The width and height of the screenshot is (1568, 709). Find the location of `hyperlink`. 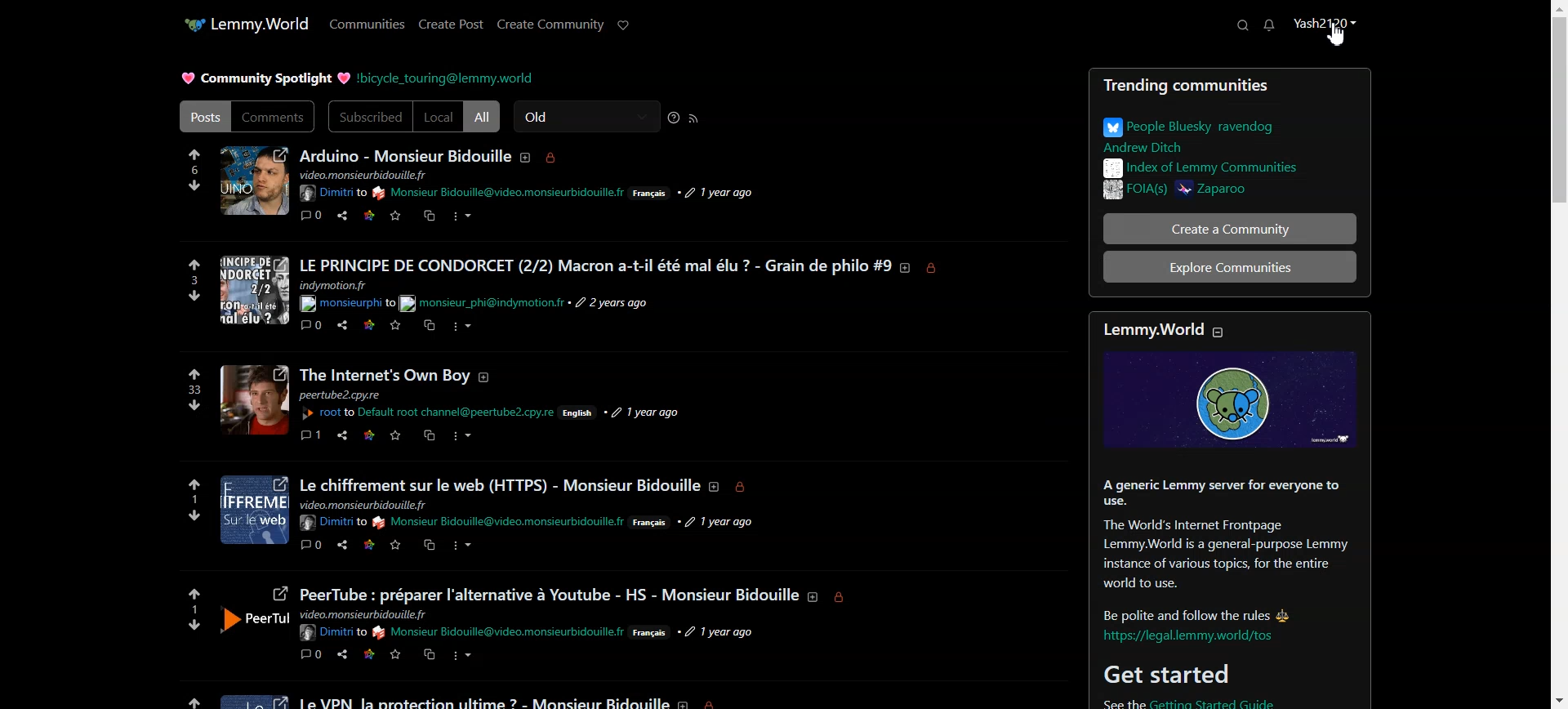

hyperlink is located at coordinates (332, 633).